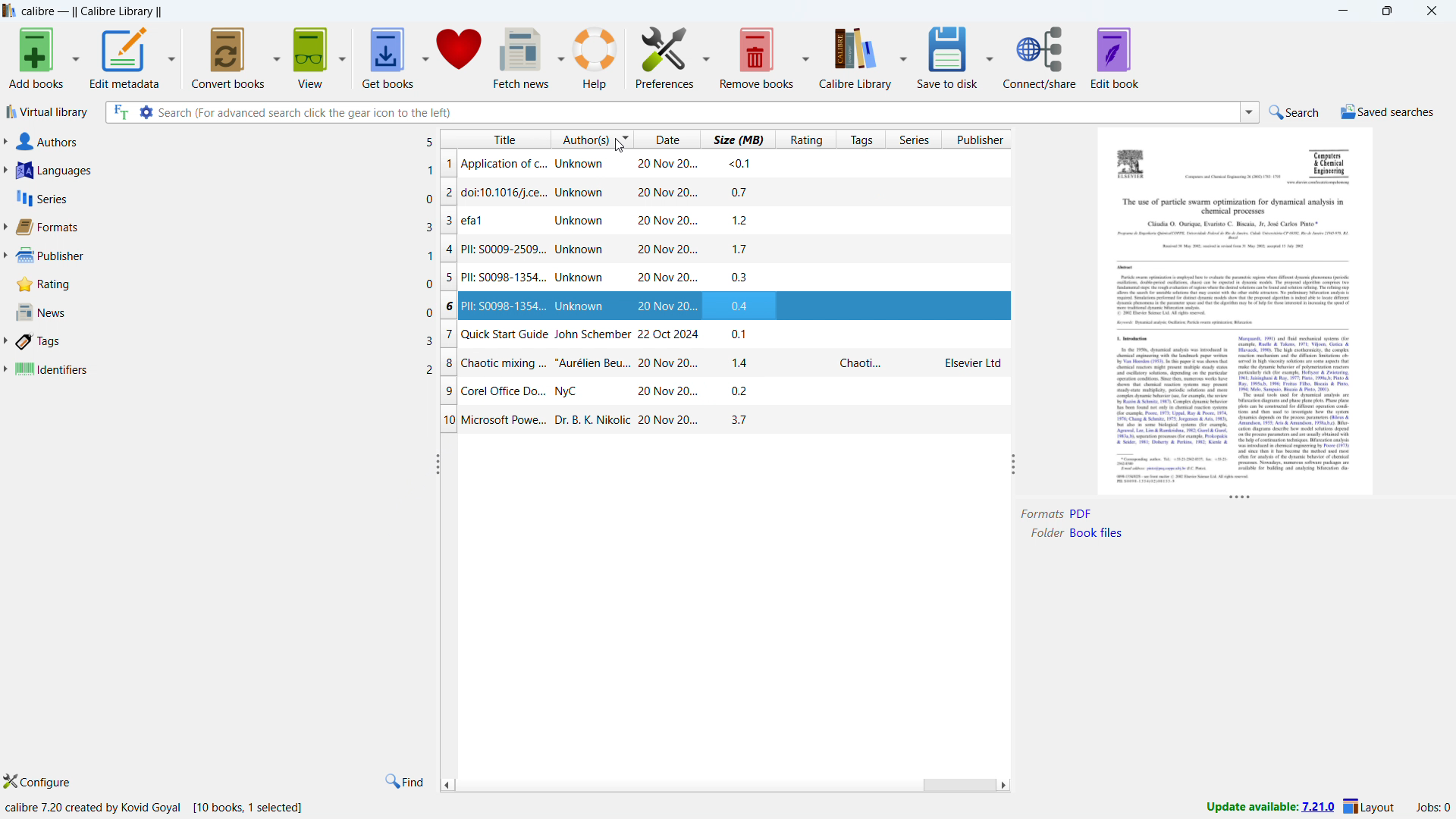  What do you see at coordinates (224, 258) in the screenshot?
I see `publisher` at bounding box center [224, 258].